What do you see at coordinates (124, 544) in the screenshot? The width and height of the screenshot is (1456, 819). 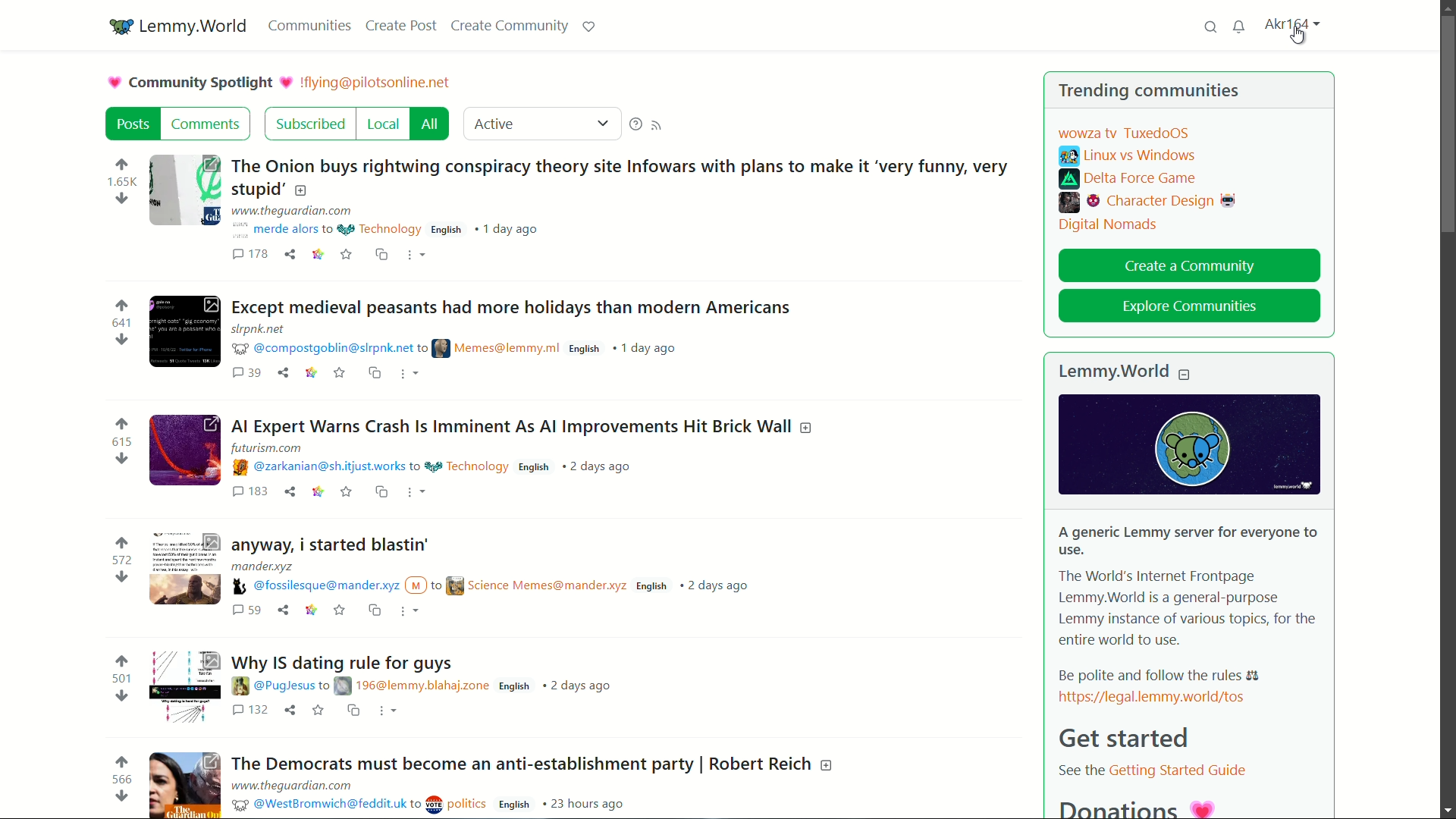 I see `upvote` at bounding box center [124, 544].